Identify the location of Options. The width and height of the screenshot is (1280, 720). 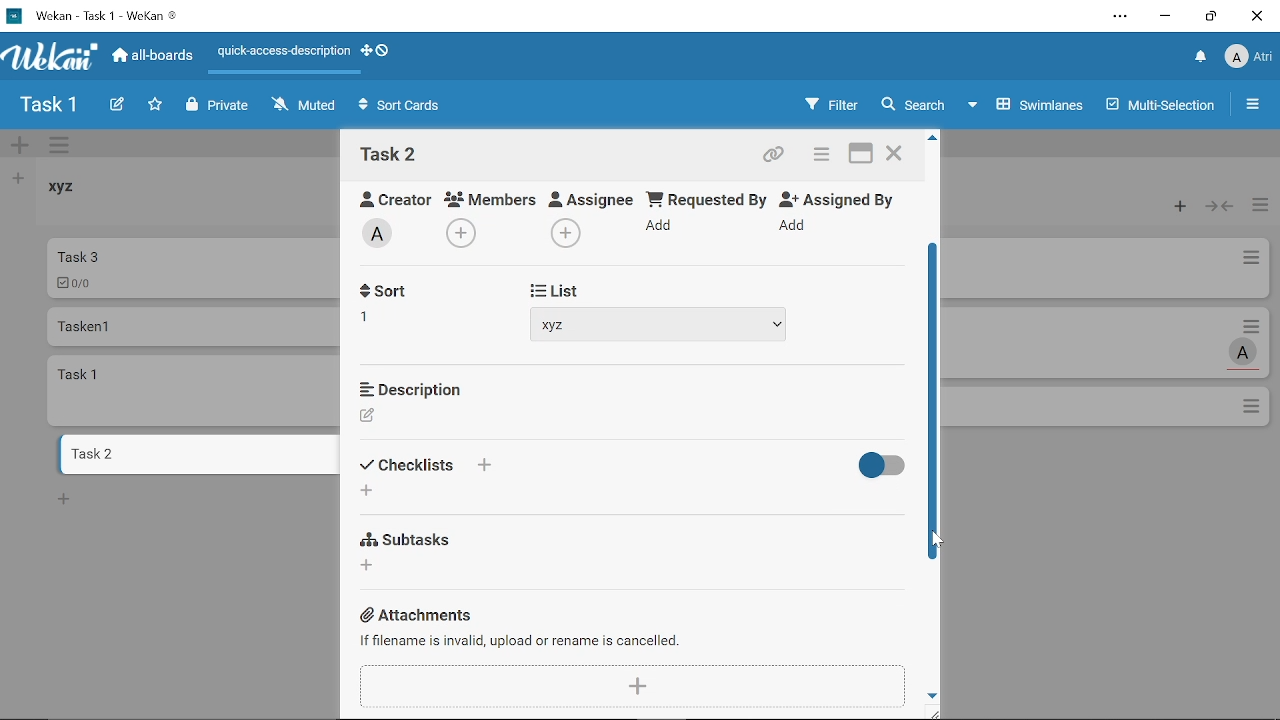
(1253, 408).